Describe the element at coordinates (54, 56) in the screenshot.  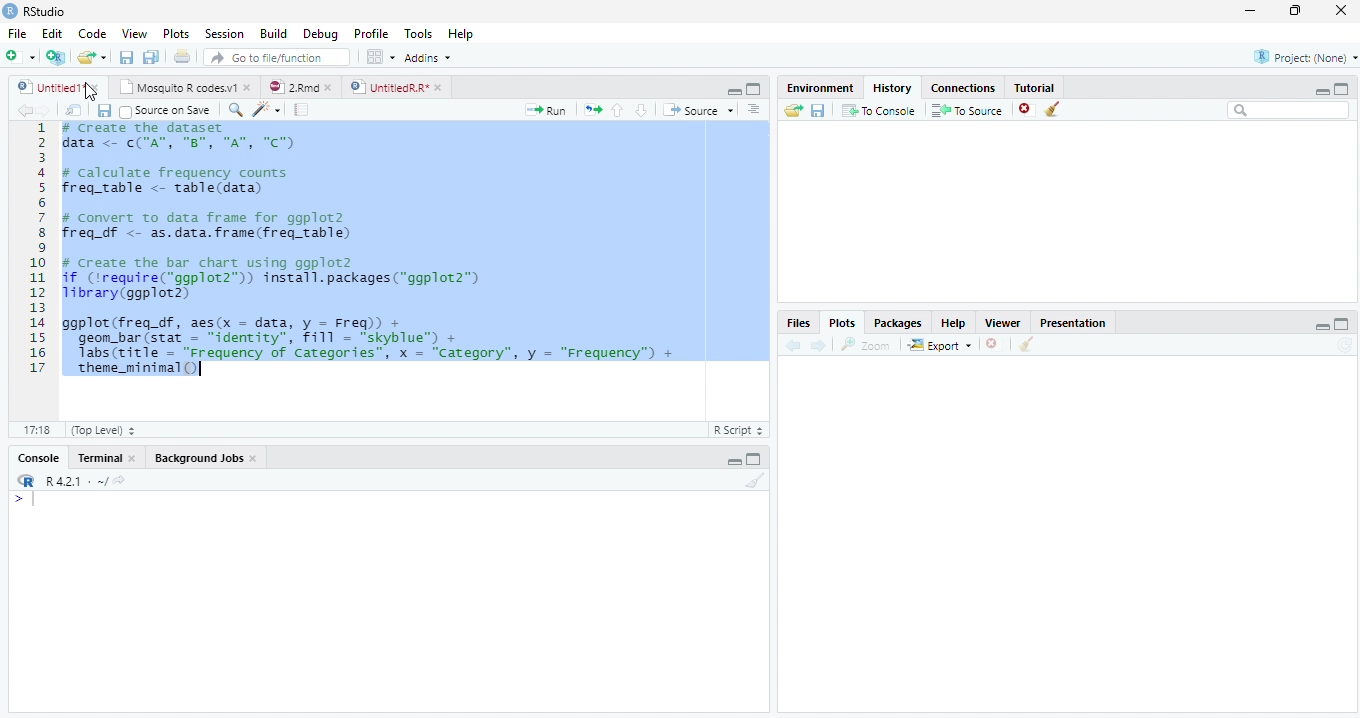
I see `Create a project` at that location.